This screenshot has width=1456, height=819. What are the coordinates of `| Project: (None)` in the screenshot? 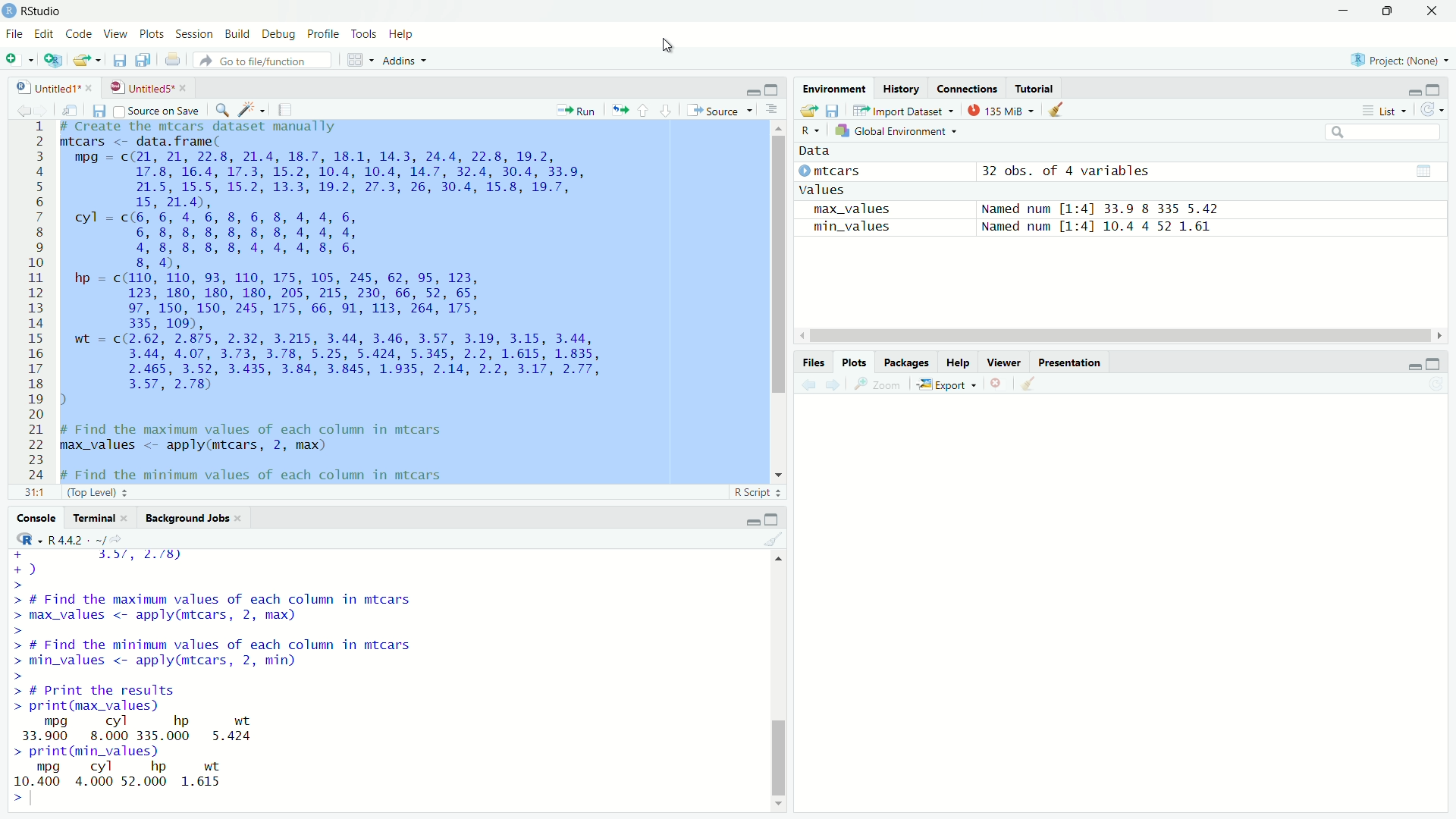 It's located at (1397, 59).